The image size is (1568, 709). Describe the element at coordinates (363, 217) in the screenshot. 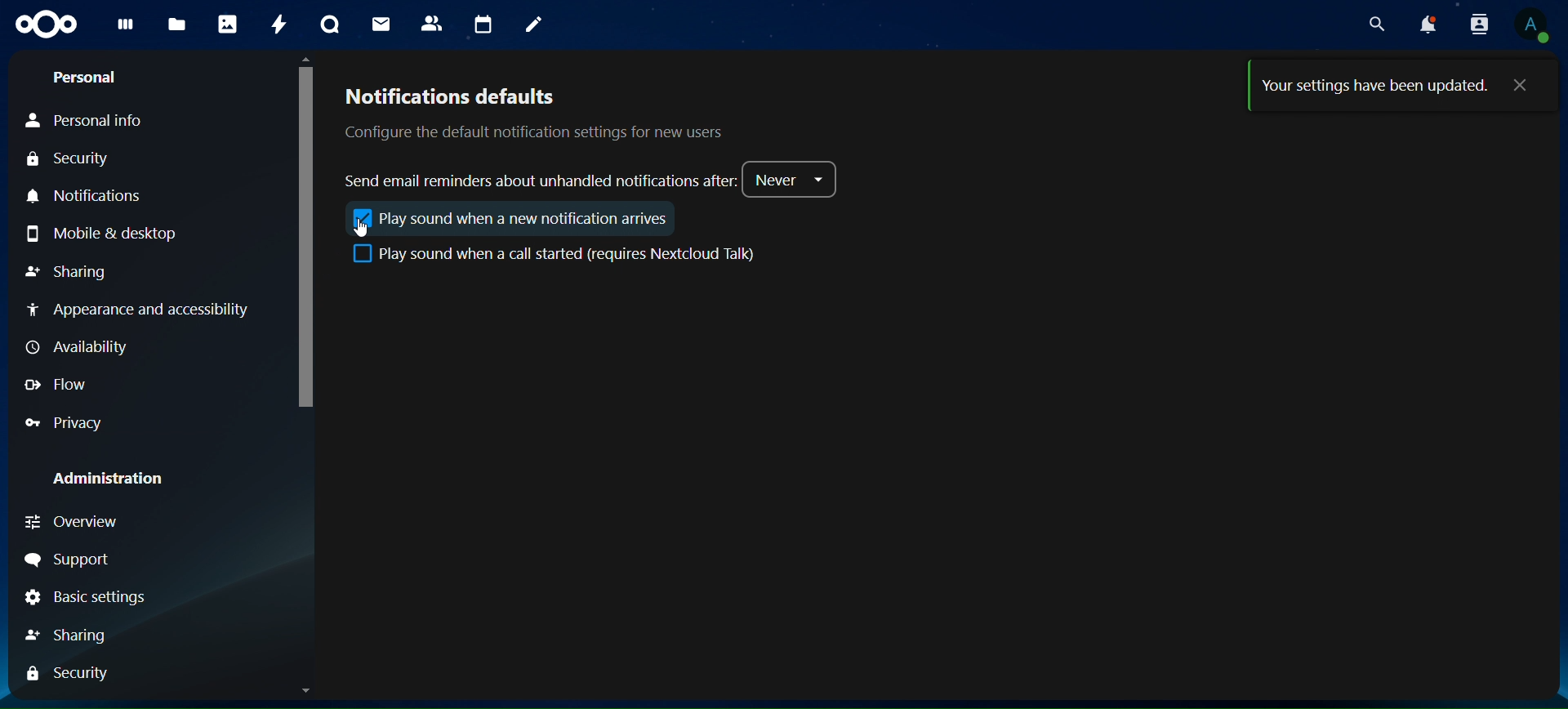

I see `icon` at that location.